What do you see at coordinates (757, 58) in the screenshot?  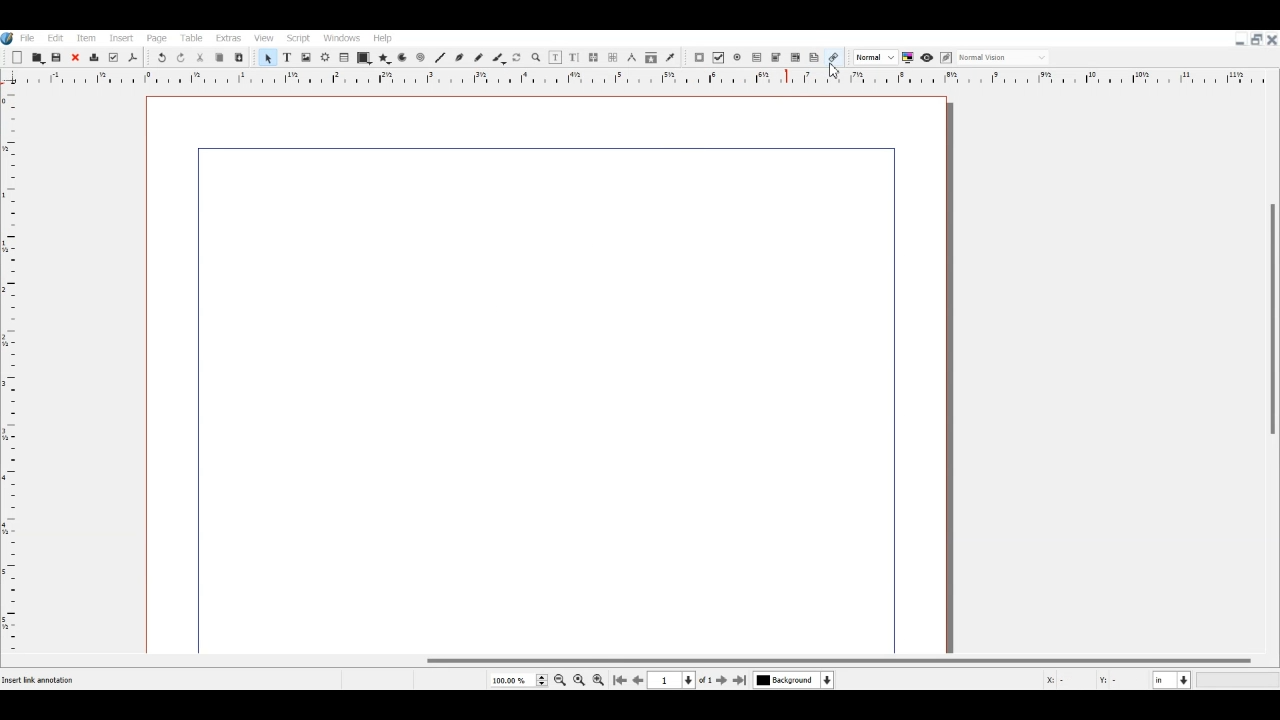 I see `PDF Text Field` at bounding box center [757, 58].